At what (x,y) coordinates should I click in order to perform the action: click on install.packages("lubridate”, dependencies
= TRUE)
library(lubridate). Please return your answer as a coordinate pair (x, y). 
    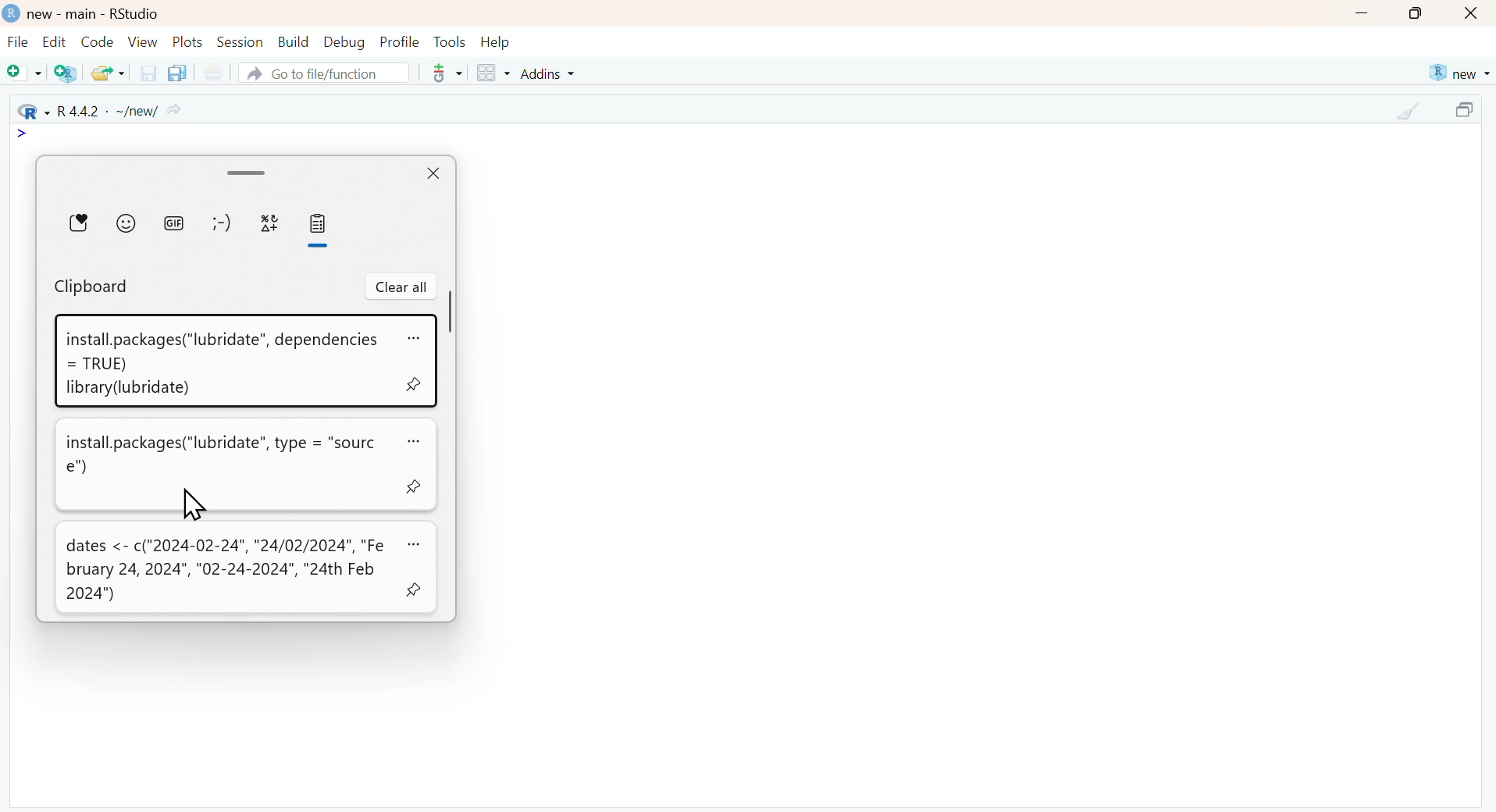
    Looking at the image, I should click on (221, 365).